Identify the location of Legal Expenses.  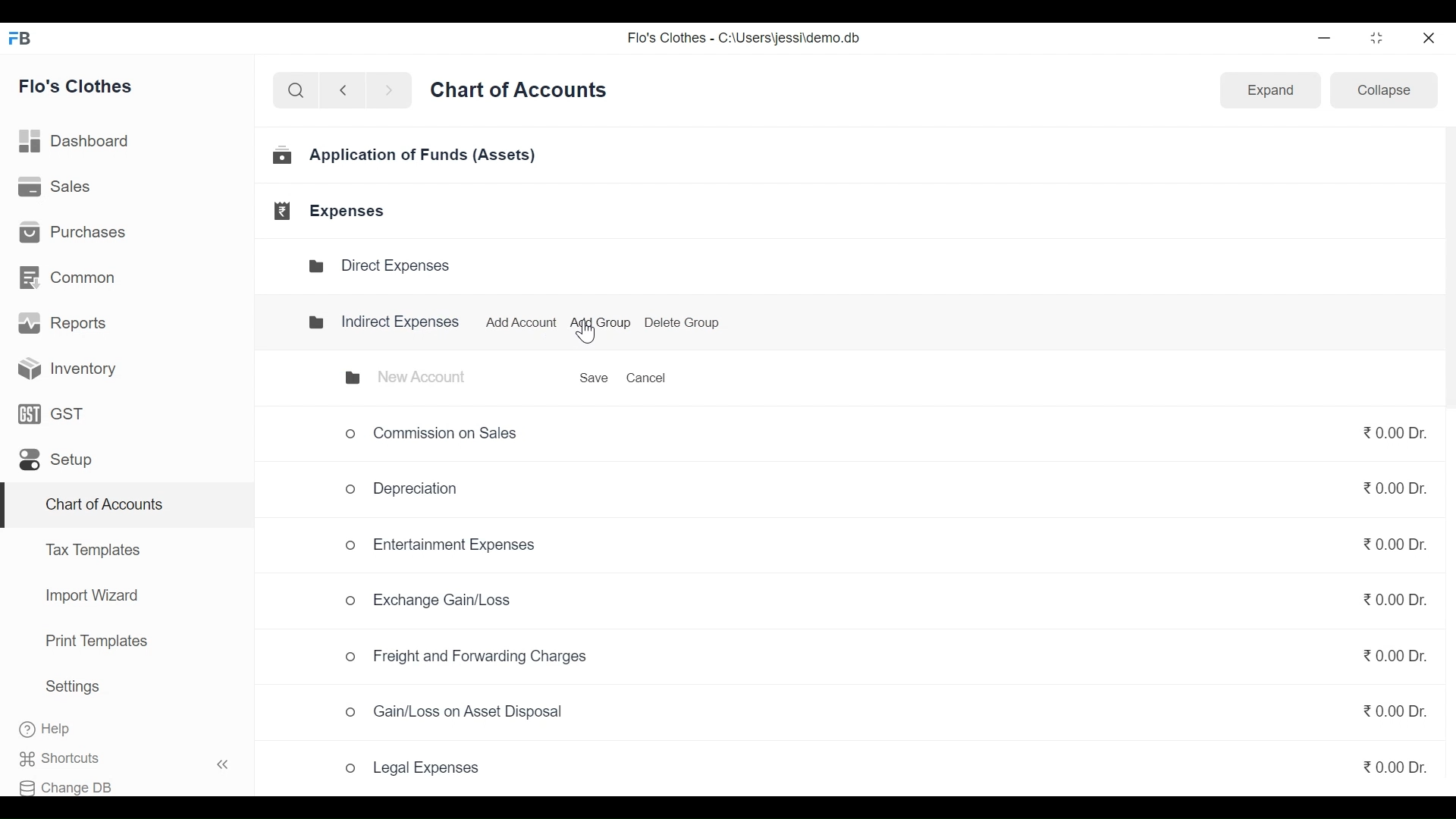
(413, 770).